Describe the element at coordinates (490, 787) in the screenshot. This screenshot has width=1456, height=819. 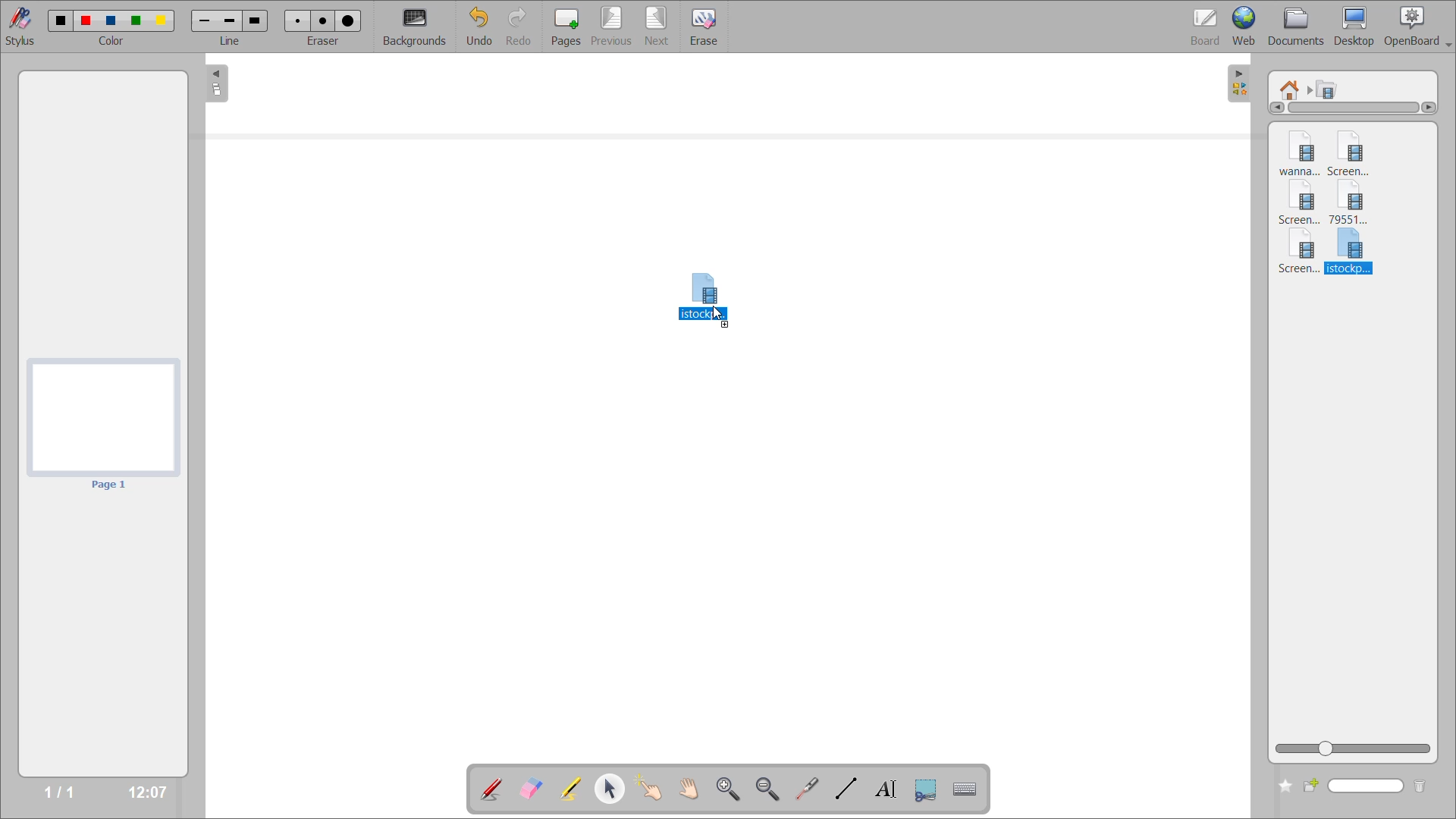
I see `annotate document` at that location.